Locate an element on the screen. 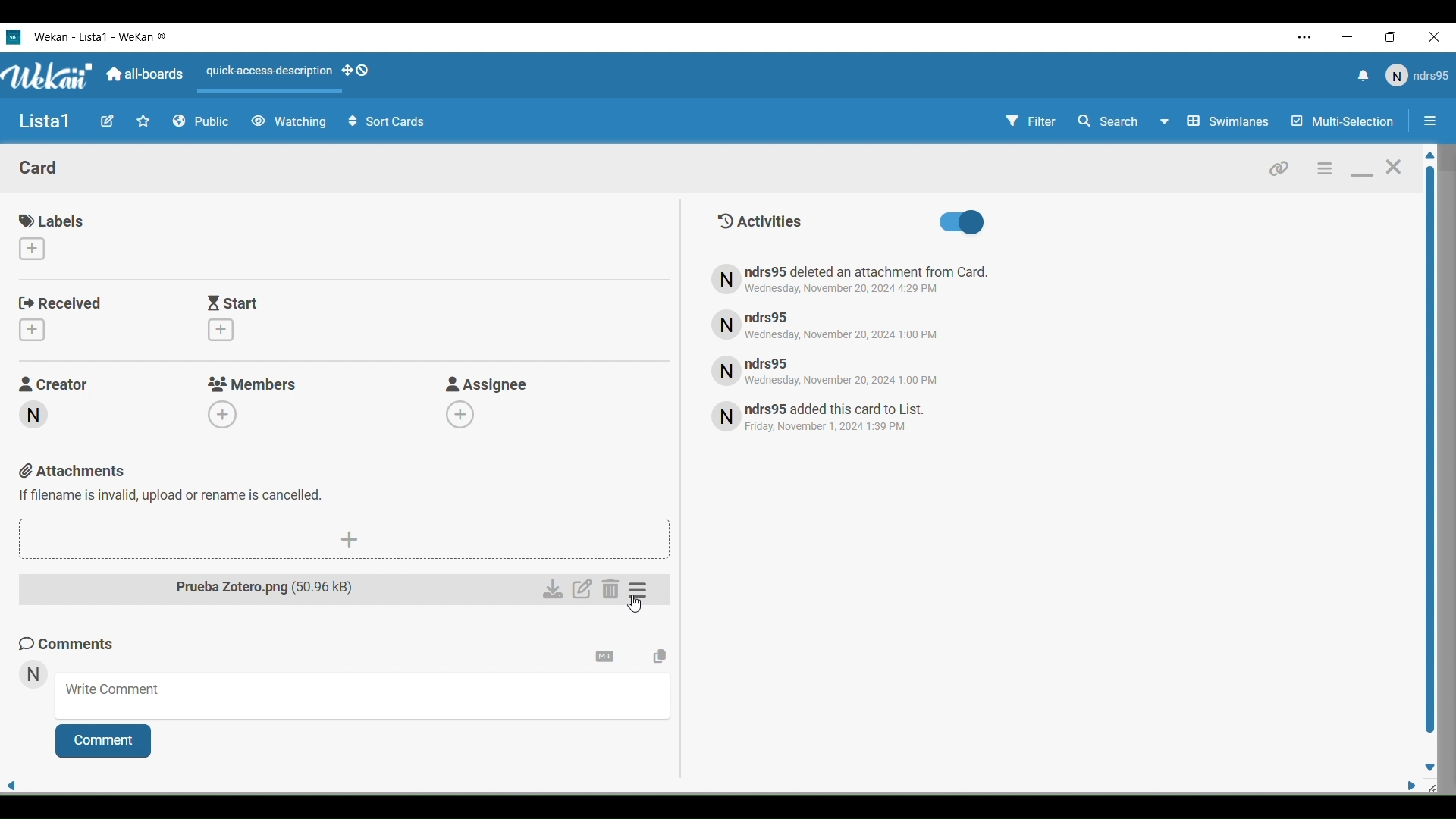 The height and width of the screenshot is (819, 1456). Close is located at coordinates (1438, 38).